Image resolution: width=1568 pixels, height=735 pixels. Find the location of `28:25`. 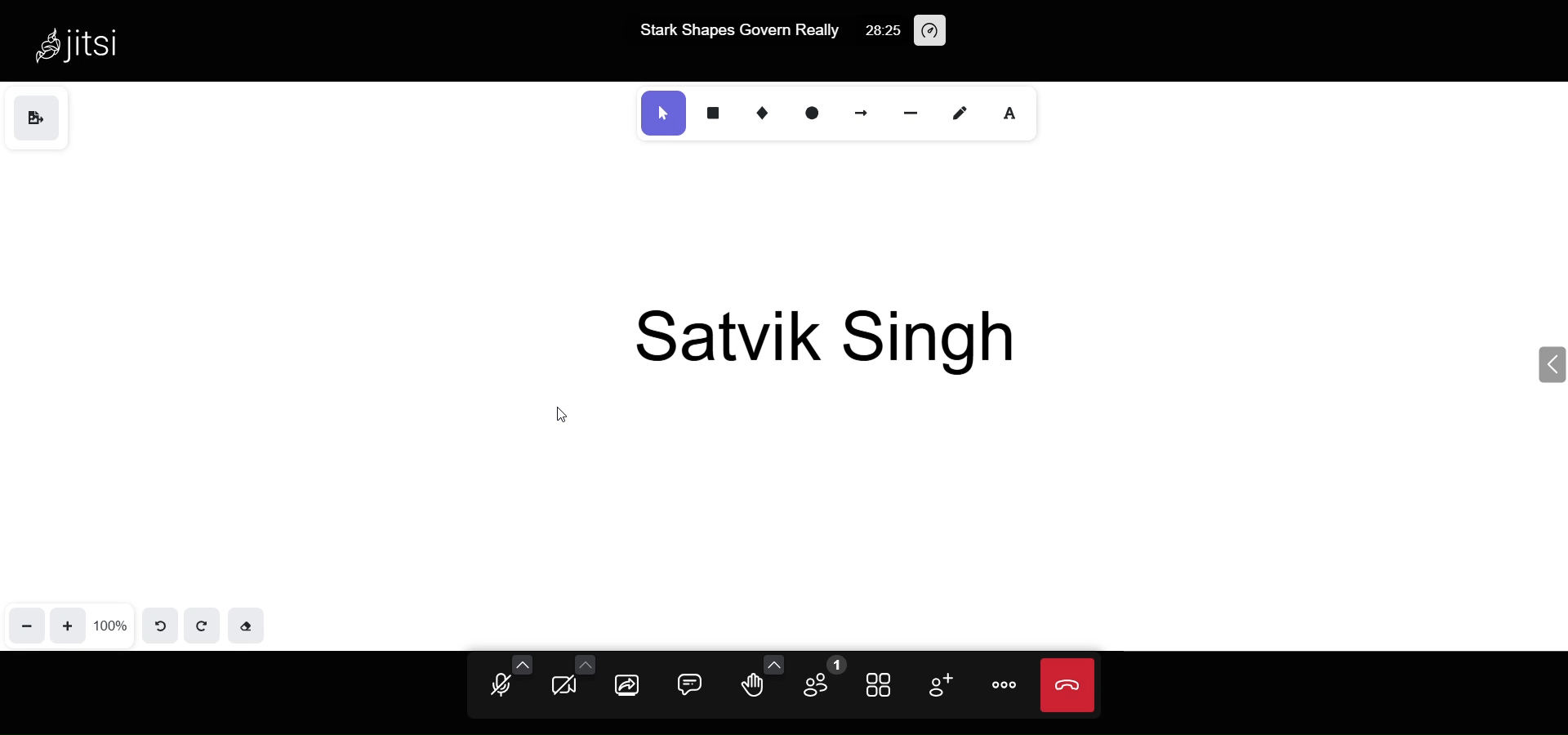

28:25 is located at coordinates (881, 29).